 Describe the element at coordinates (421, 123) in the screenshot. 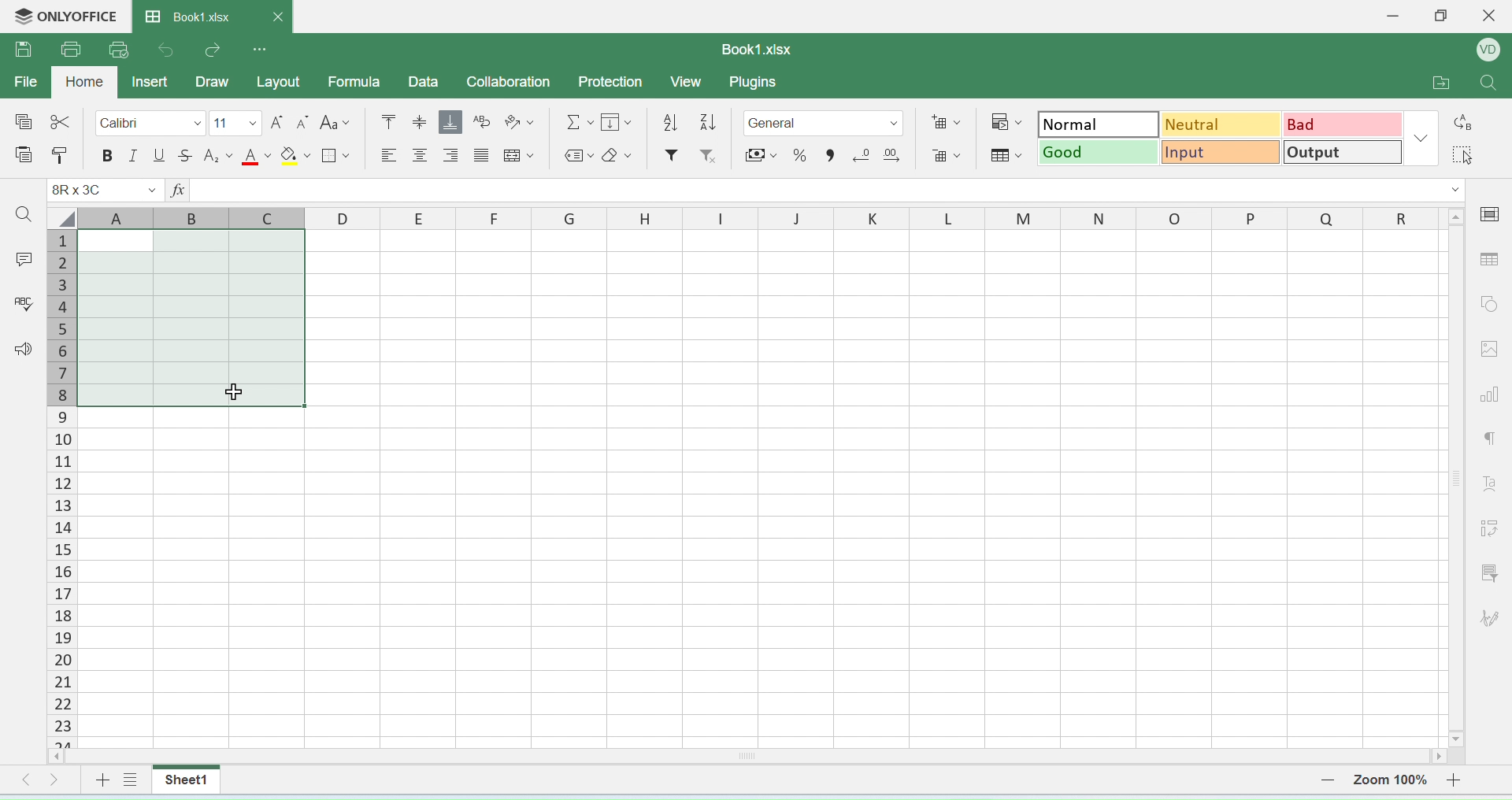

I see `align center` at that location.